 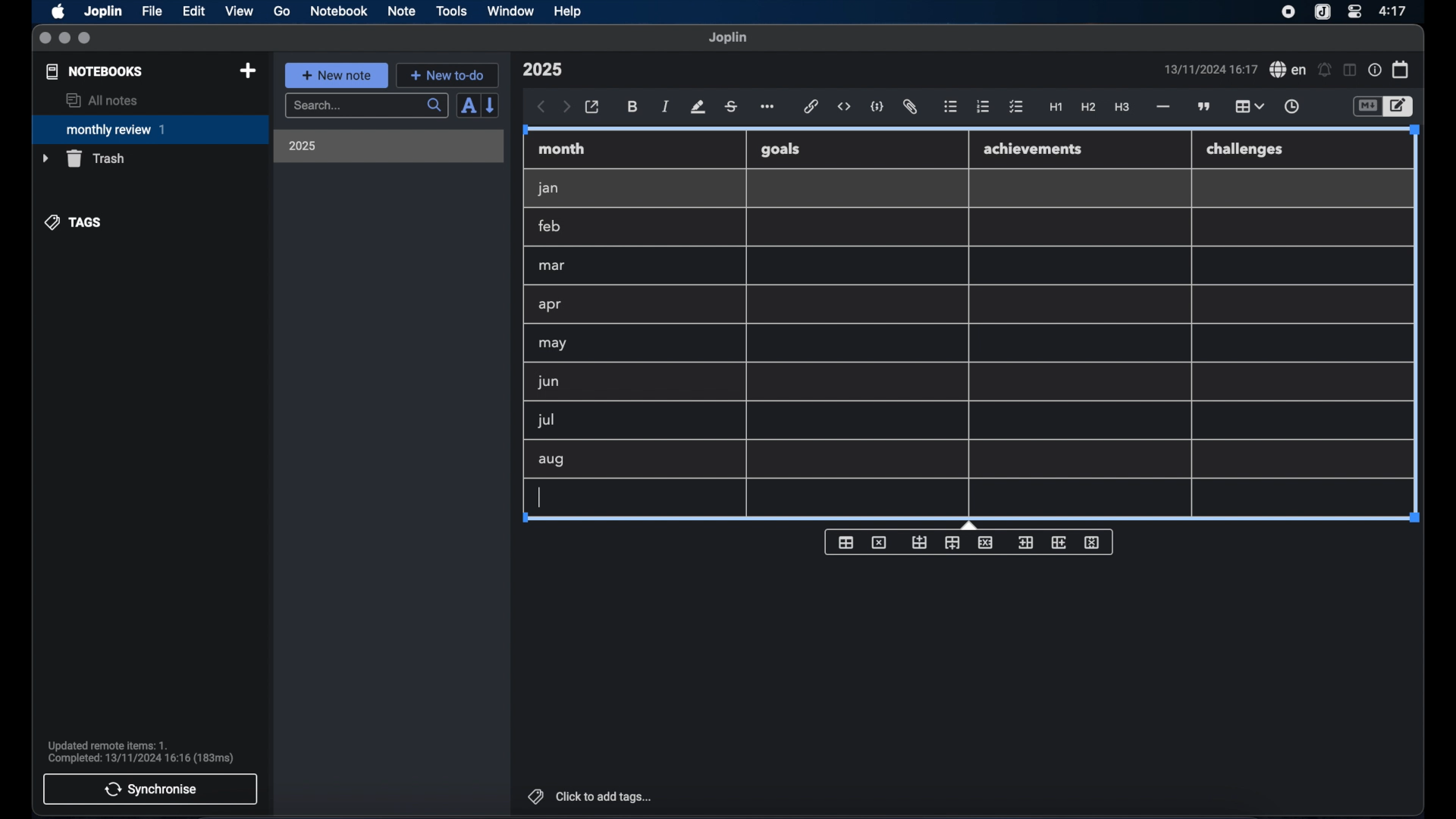 What do you see at coordinates (728, 37) in the screenshot?
I see `joplin` at bounding box center [728, 37].